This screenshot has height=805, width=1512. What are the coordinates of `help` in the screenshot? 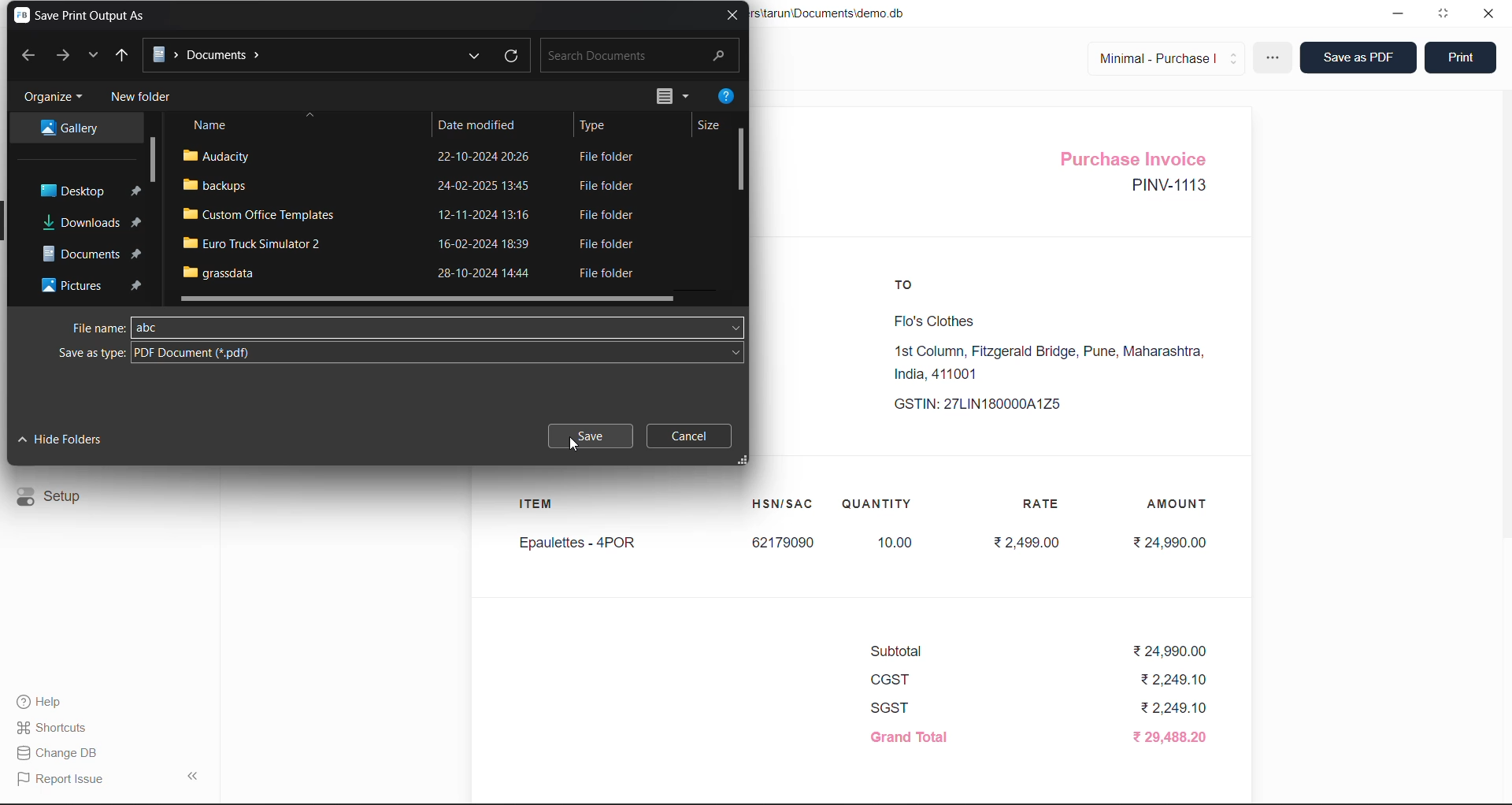 It's located at (728, 99).